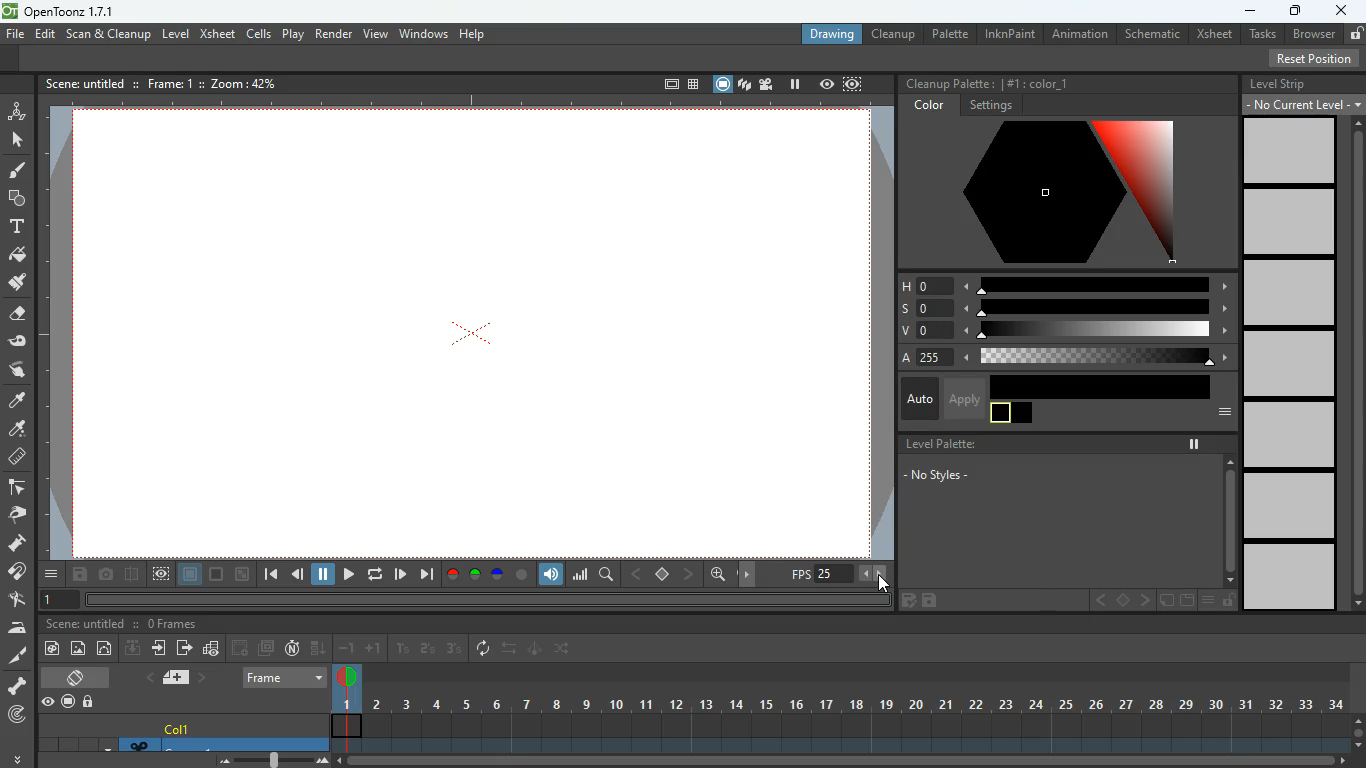 The image size is (1366, 768). Describe the element at coordinates (15, 628) in the screenshot. I see `iron` at that location.